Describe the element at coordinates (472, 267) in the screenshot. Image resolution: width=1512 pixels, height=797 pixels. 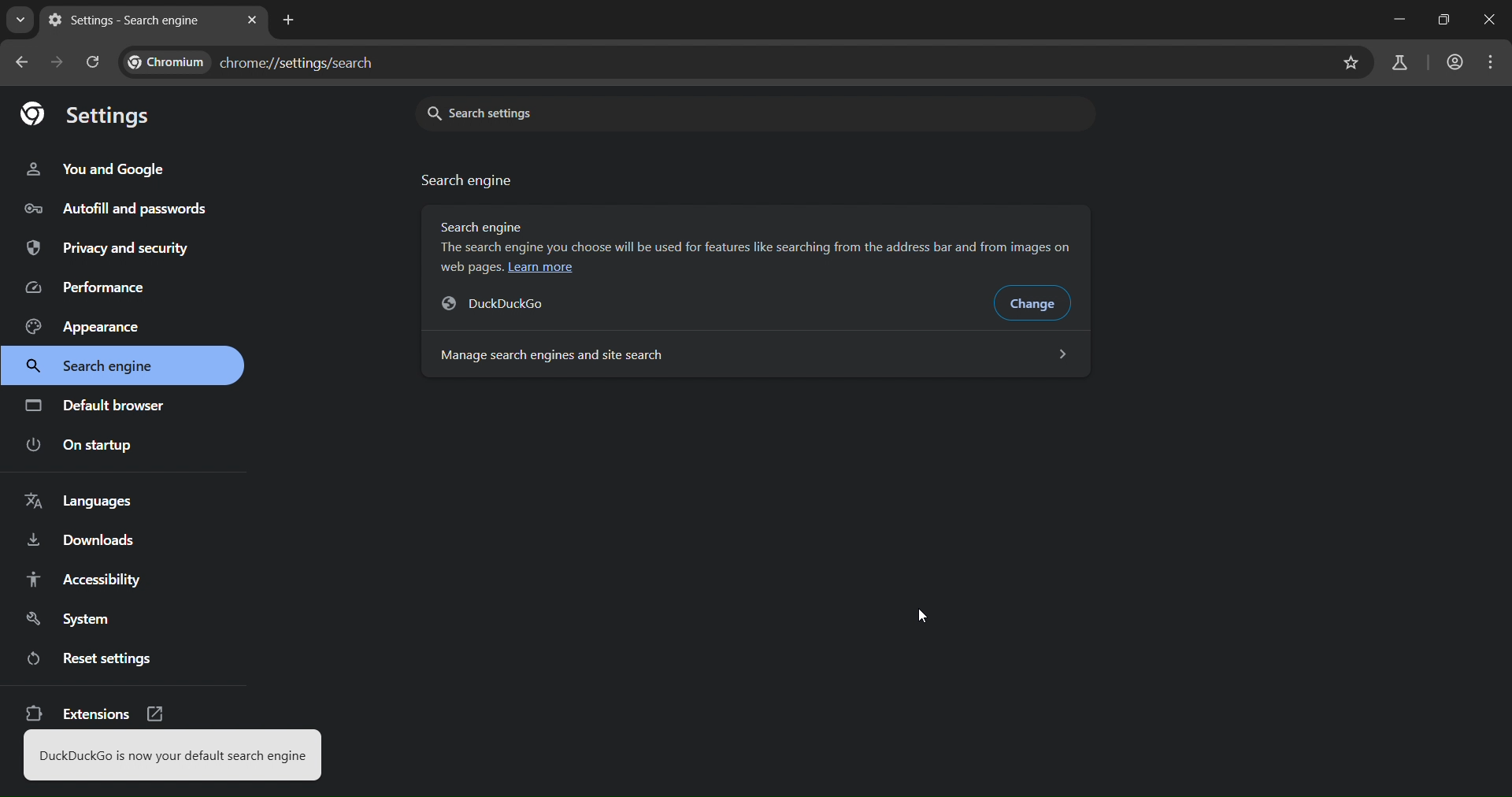
I see `web pages.` at that location.